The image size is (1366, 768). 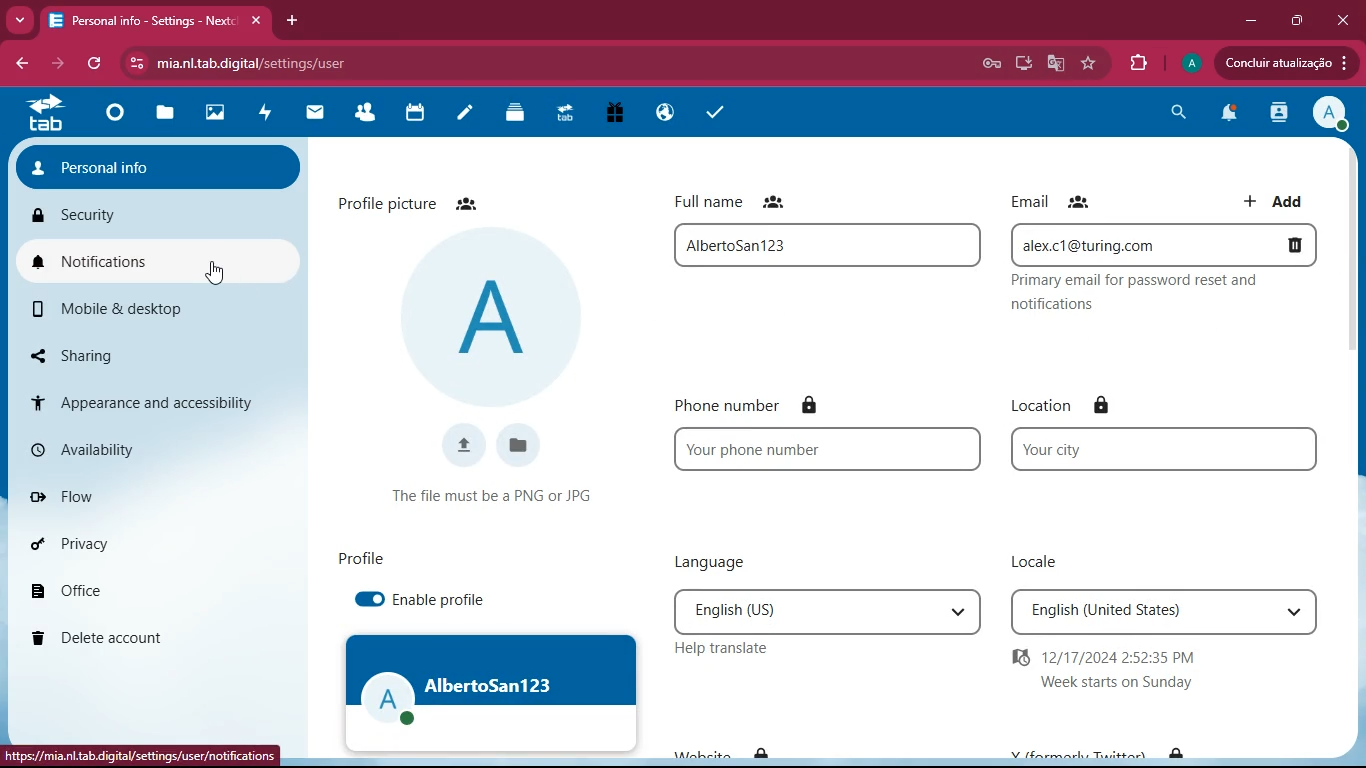 I want to click on locale, so click(x=1159, y=611).